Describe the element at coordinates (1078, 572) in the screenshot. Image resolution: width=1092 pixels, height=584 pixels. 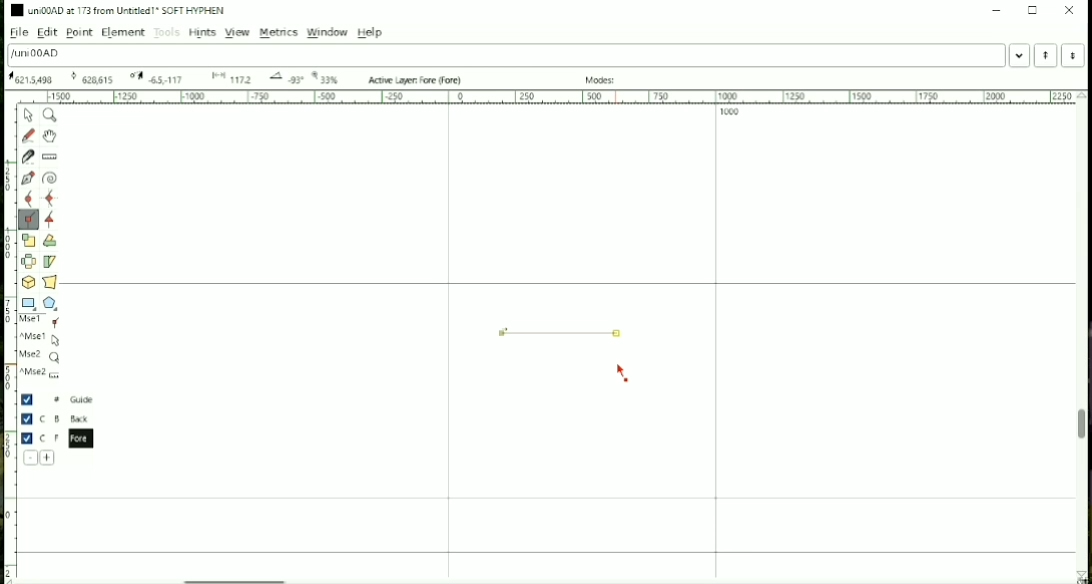
I see `173 Oxad U+00AD "uni00AD" SOFT HYPHEN` at that location.